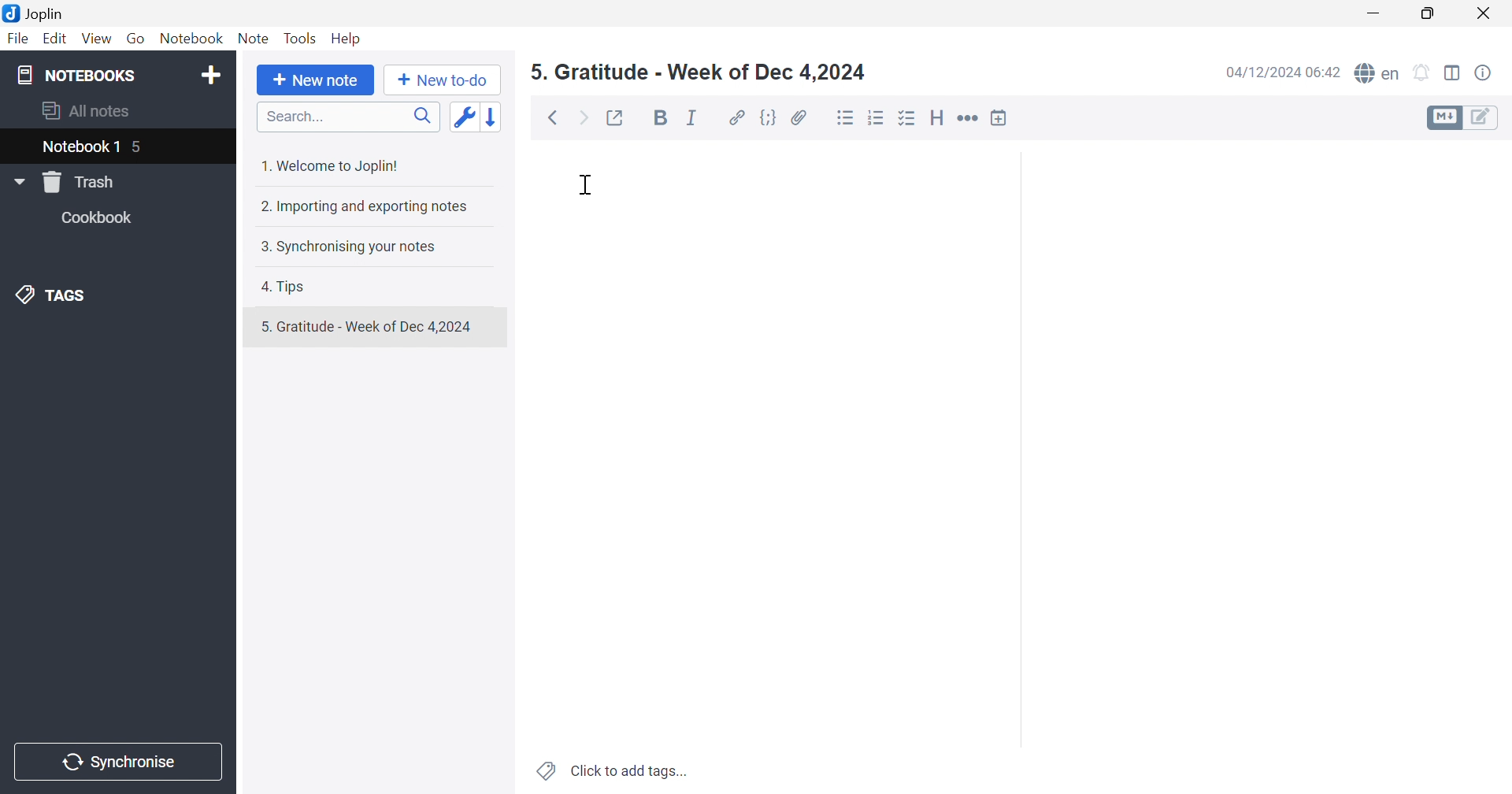 The width and height of the screenshot is (1512, 794). Describe the element at coordinates (585, 117) in the screenshot. I see `Forward` at that location.